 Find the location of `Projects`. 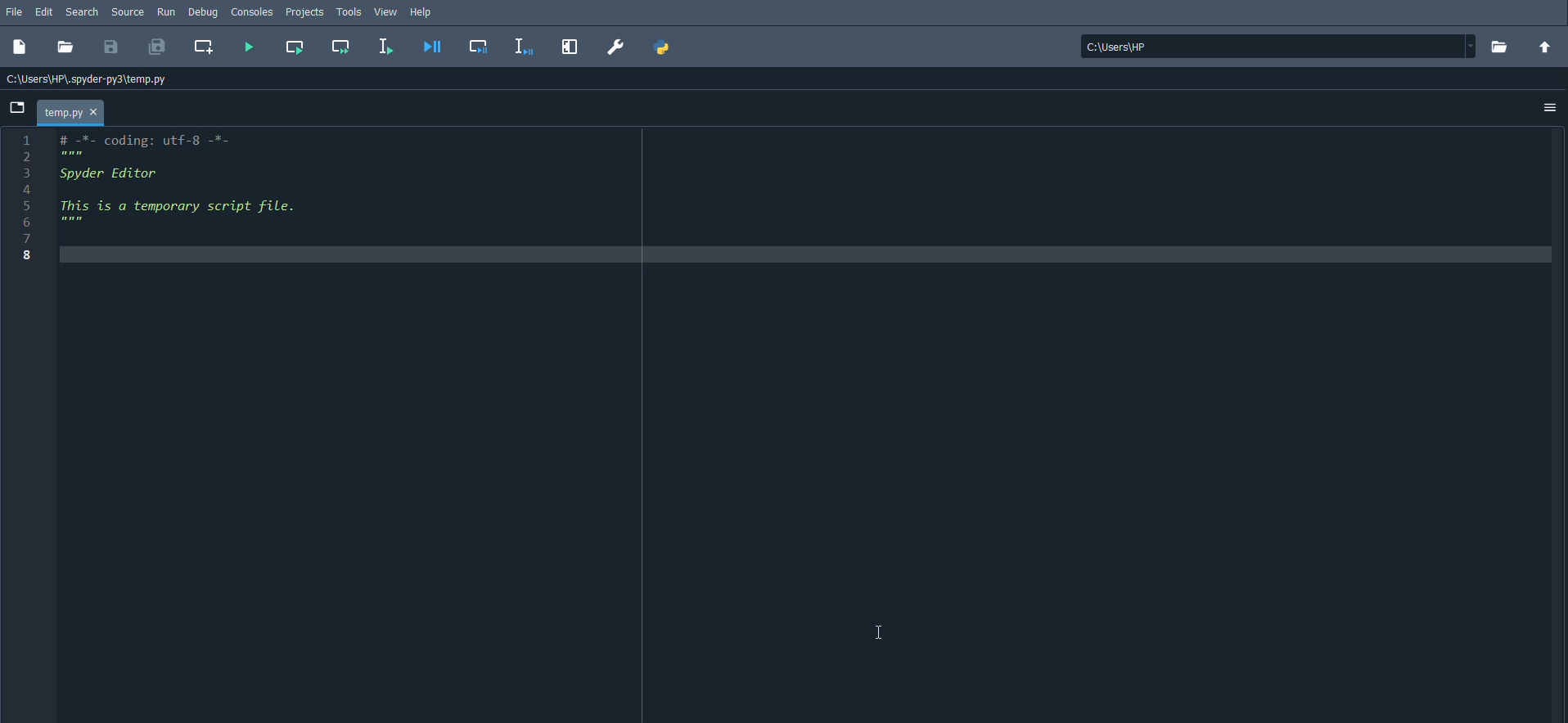

Projects is located at coordinates (305, 11).